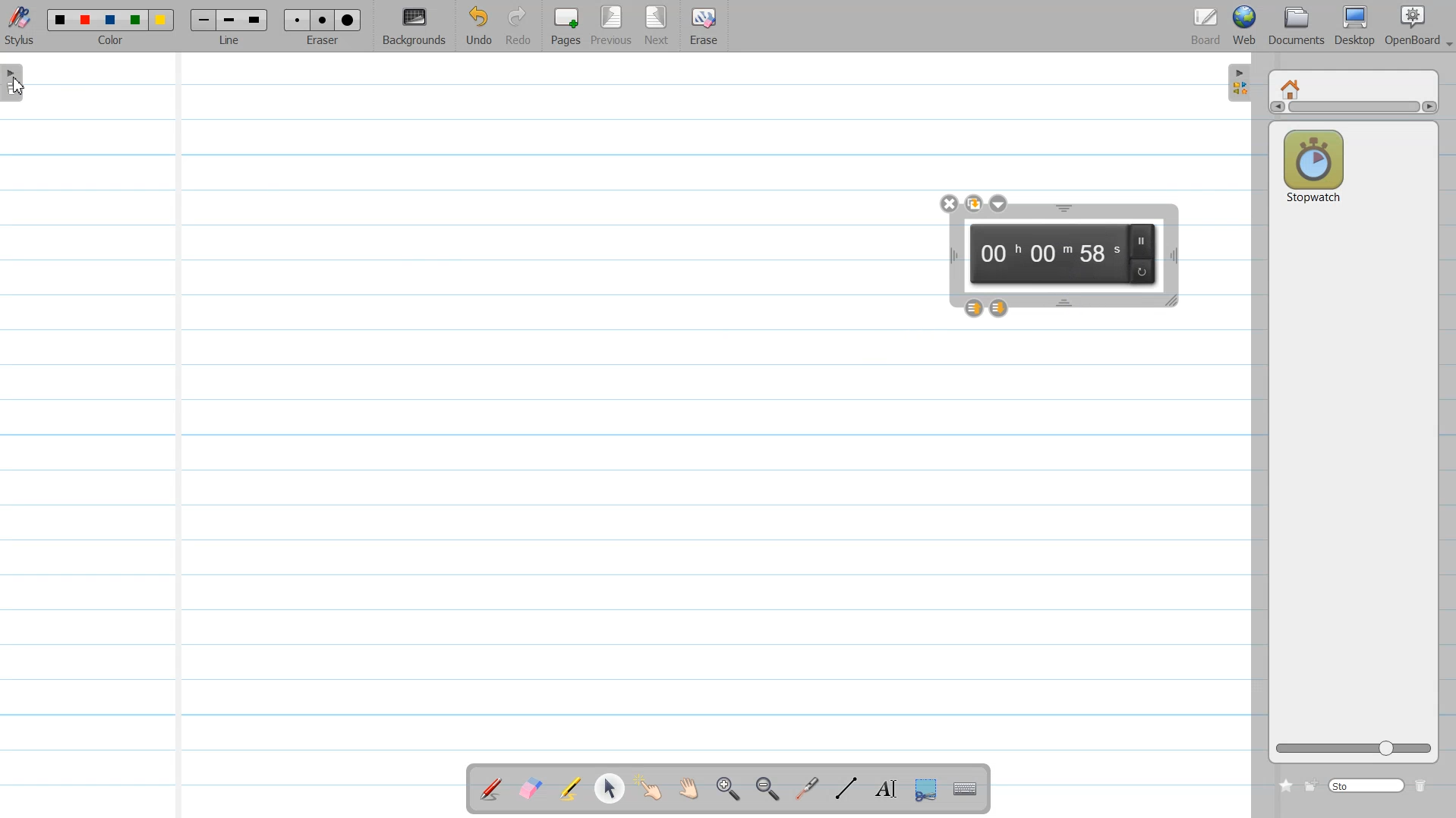  Describe the element at coordinates (519, 27) in the screenshot. I see `Redo` at that location.